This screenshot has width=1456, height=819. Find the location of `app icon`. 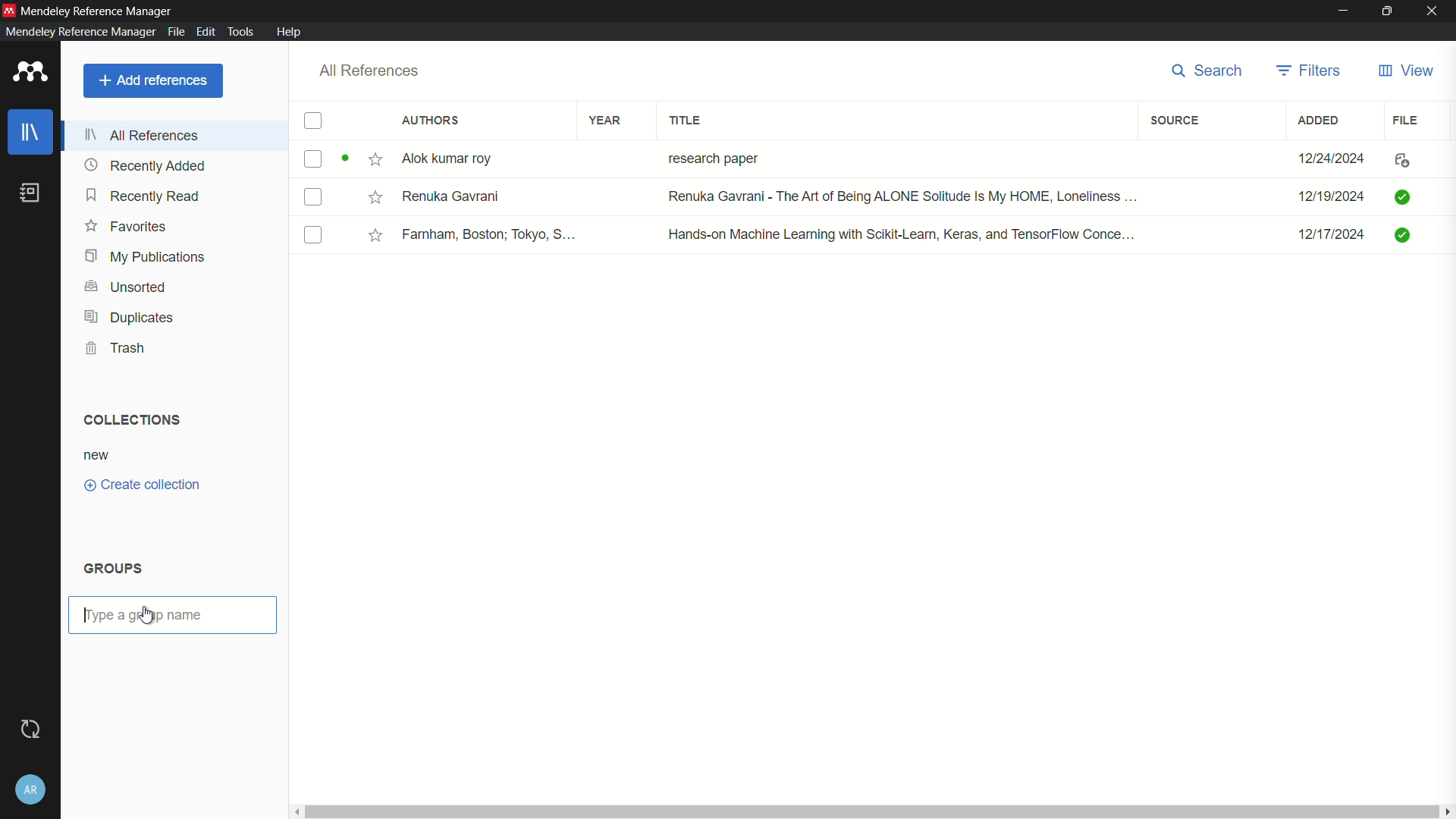

app icon is located at coordinates (9, 8).